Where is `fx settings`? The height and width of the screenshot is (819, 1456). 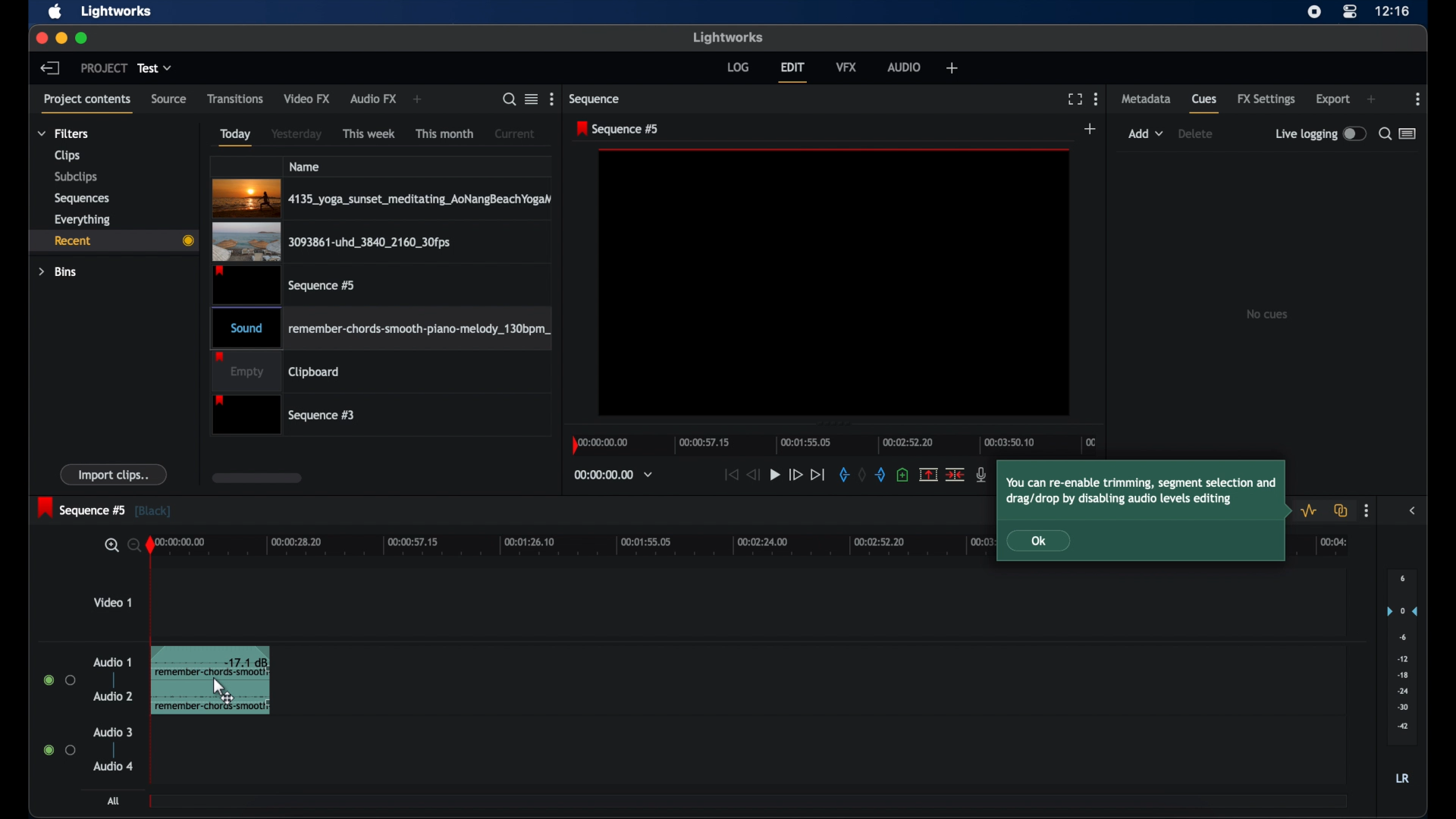 fx settings is located at coordinates (1266, 99).